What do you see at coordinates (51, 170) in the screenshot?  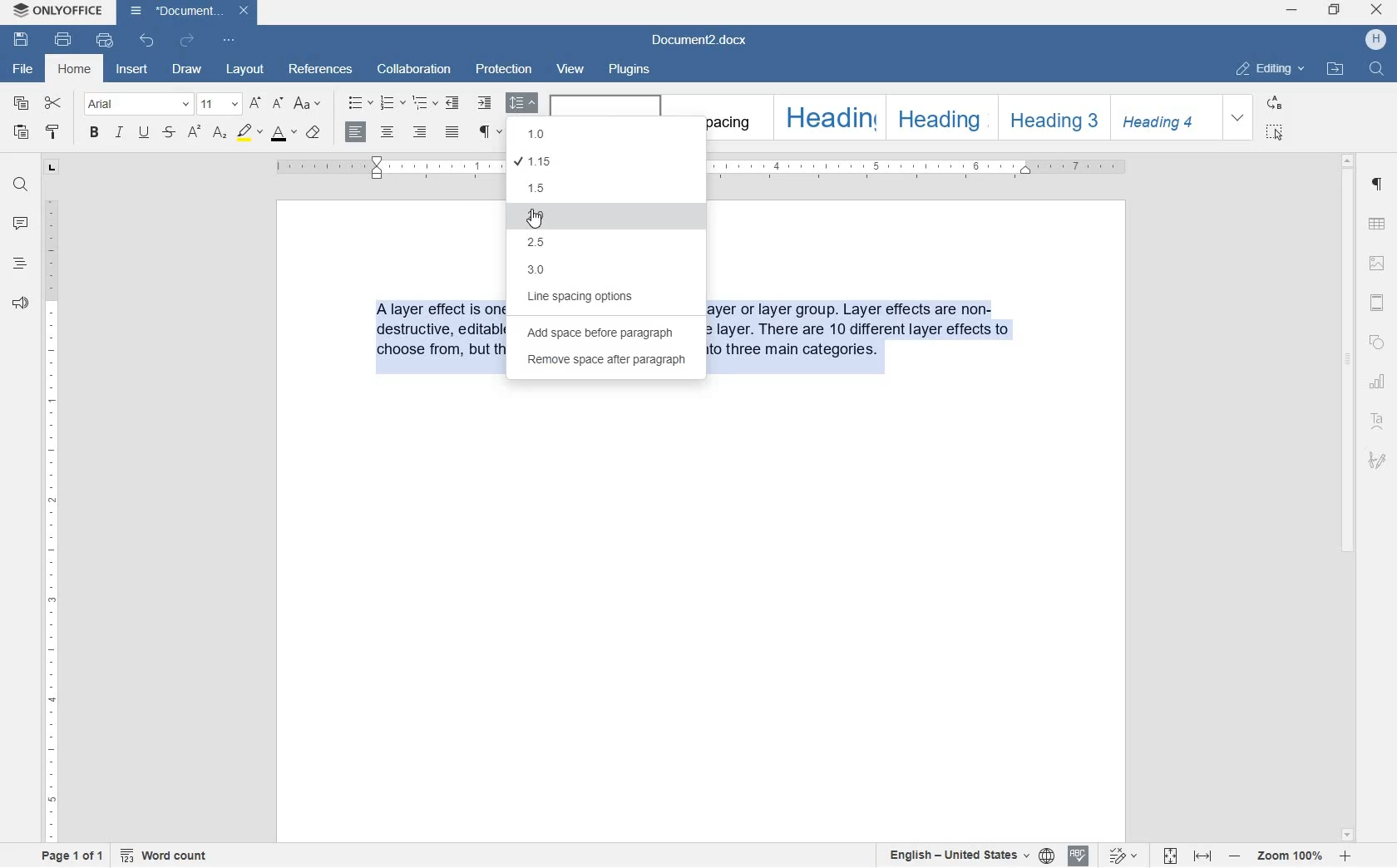 I see `tab stop` at bounding box center [51, 170].